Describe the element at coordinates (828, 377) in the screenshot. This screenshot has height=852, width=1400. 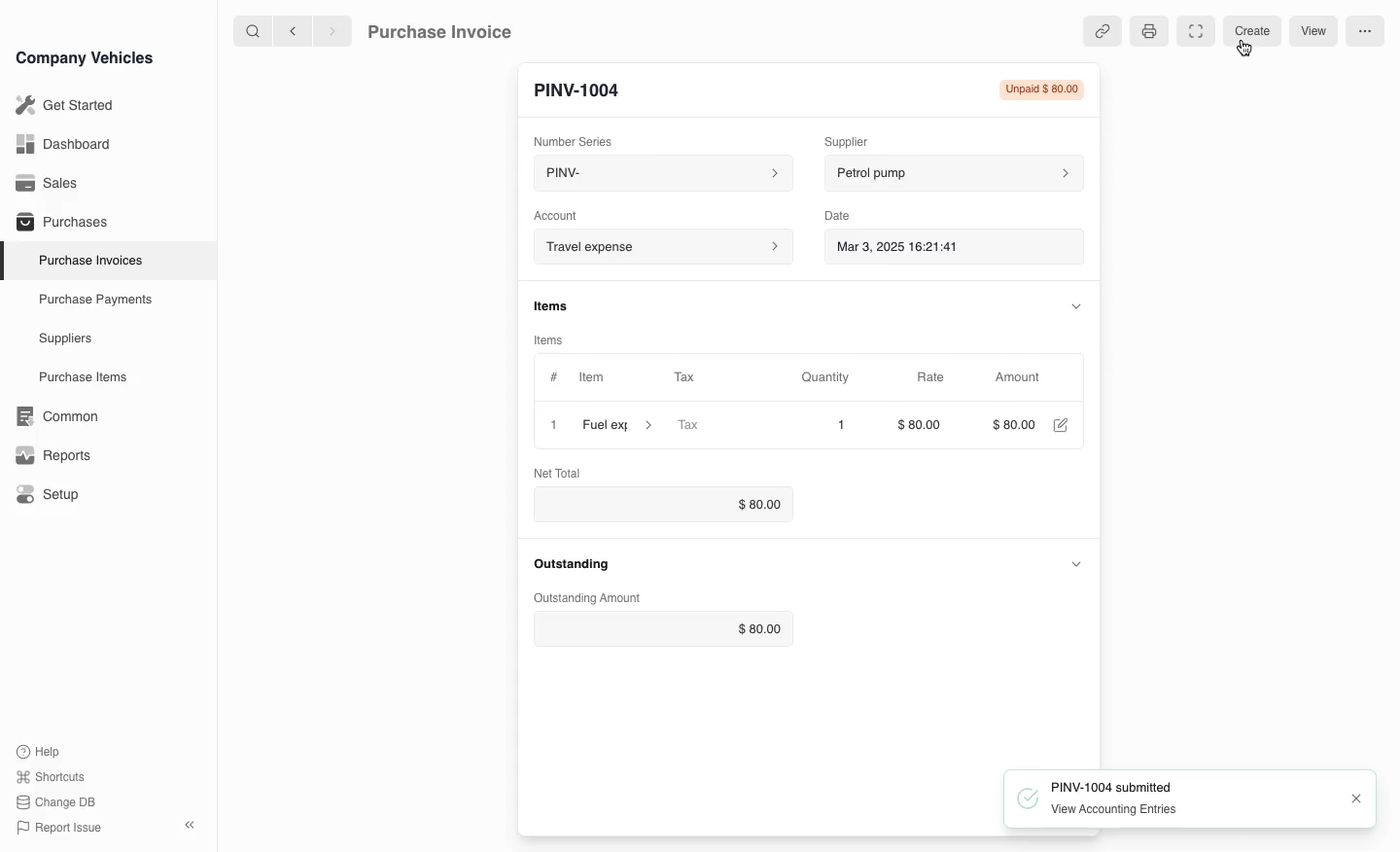
I see `Quantity` at that location.